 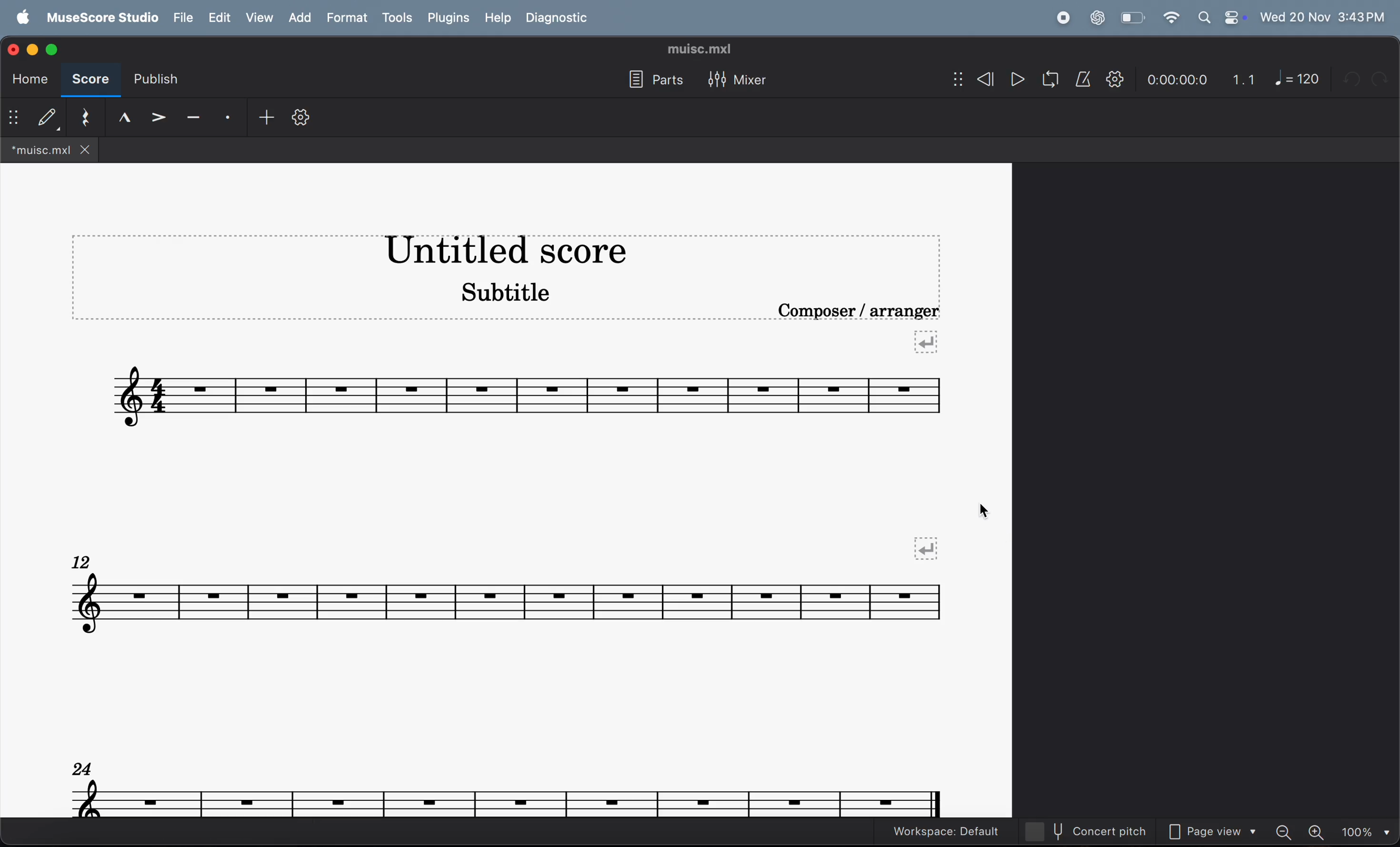 I want to click on notes, so click(x=505, y=600).